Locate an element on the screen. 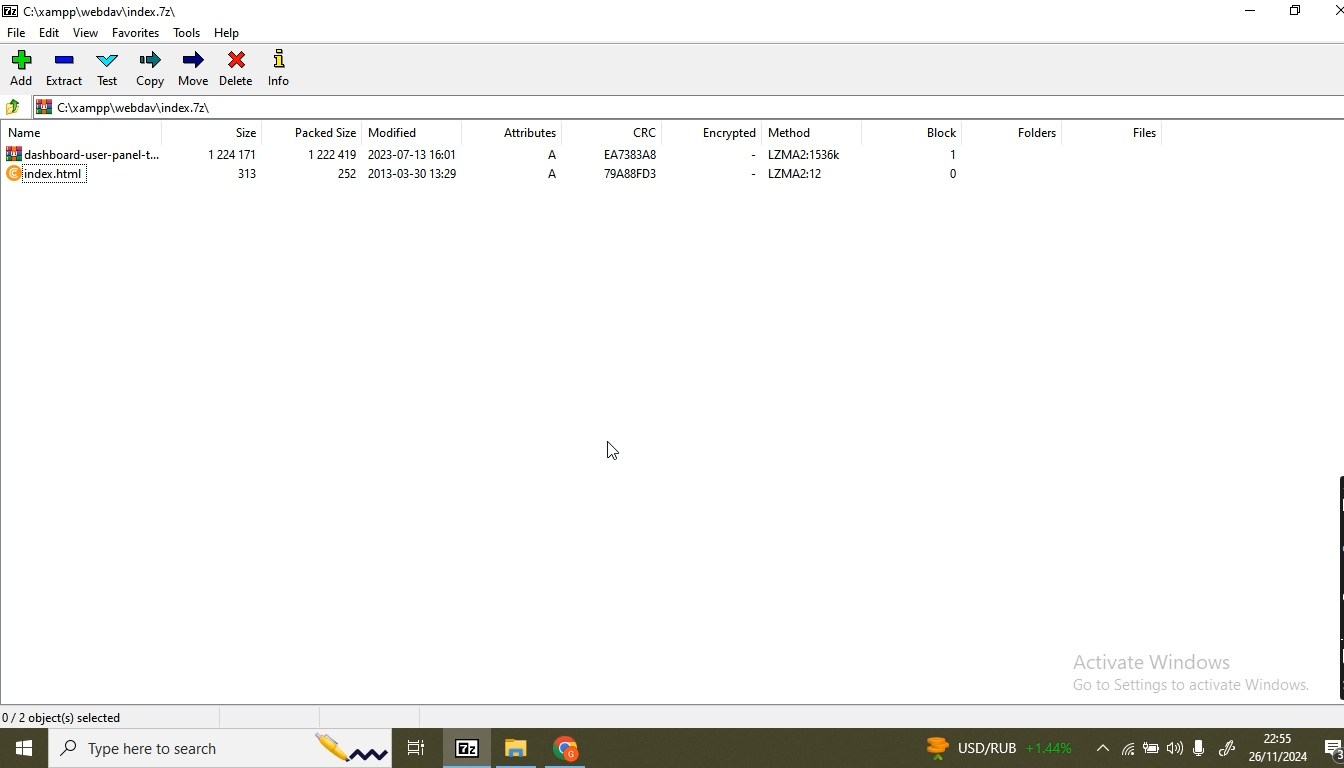 Image resolution: width=1344 pixels, height=768 pixels. windows is located at coordinates (25, 750).